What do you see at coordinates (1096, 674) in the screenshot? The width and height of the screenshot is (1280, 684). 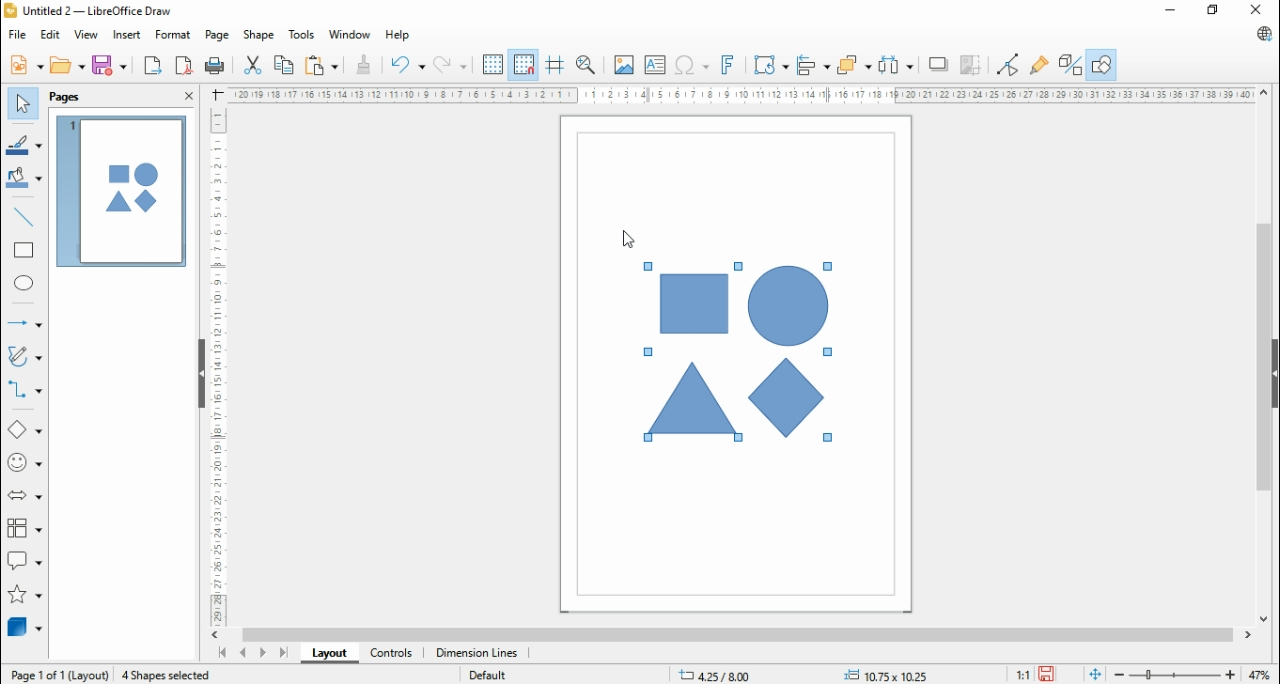 I see `fit page to window` at bounding box center [1096, 674].